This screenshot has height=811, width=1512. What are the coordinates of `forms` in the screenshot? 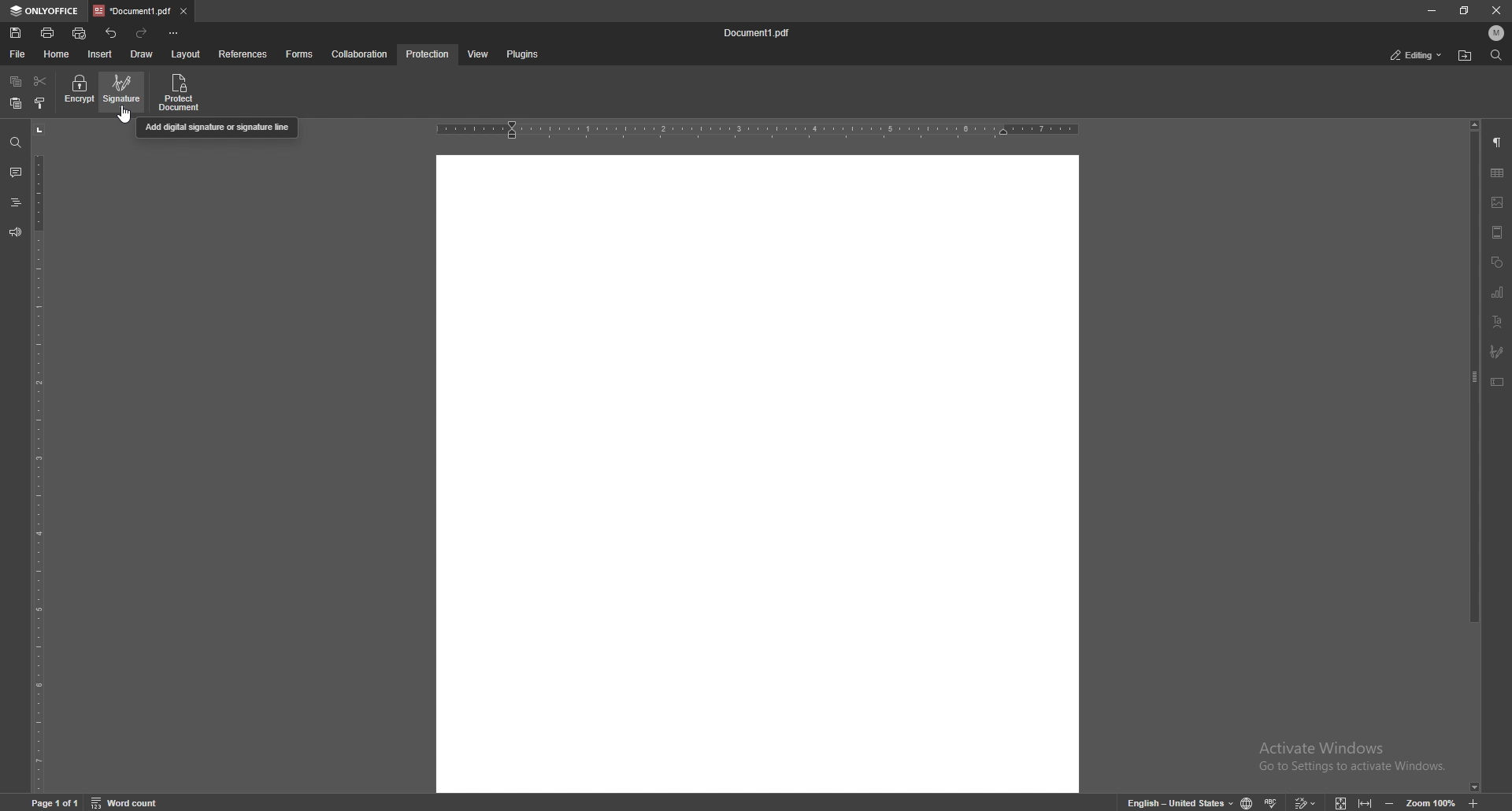 It's located at (301, 54).